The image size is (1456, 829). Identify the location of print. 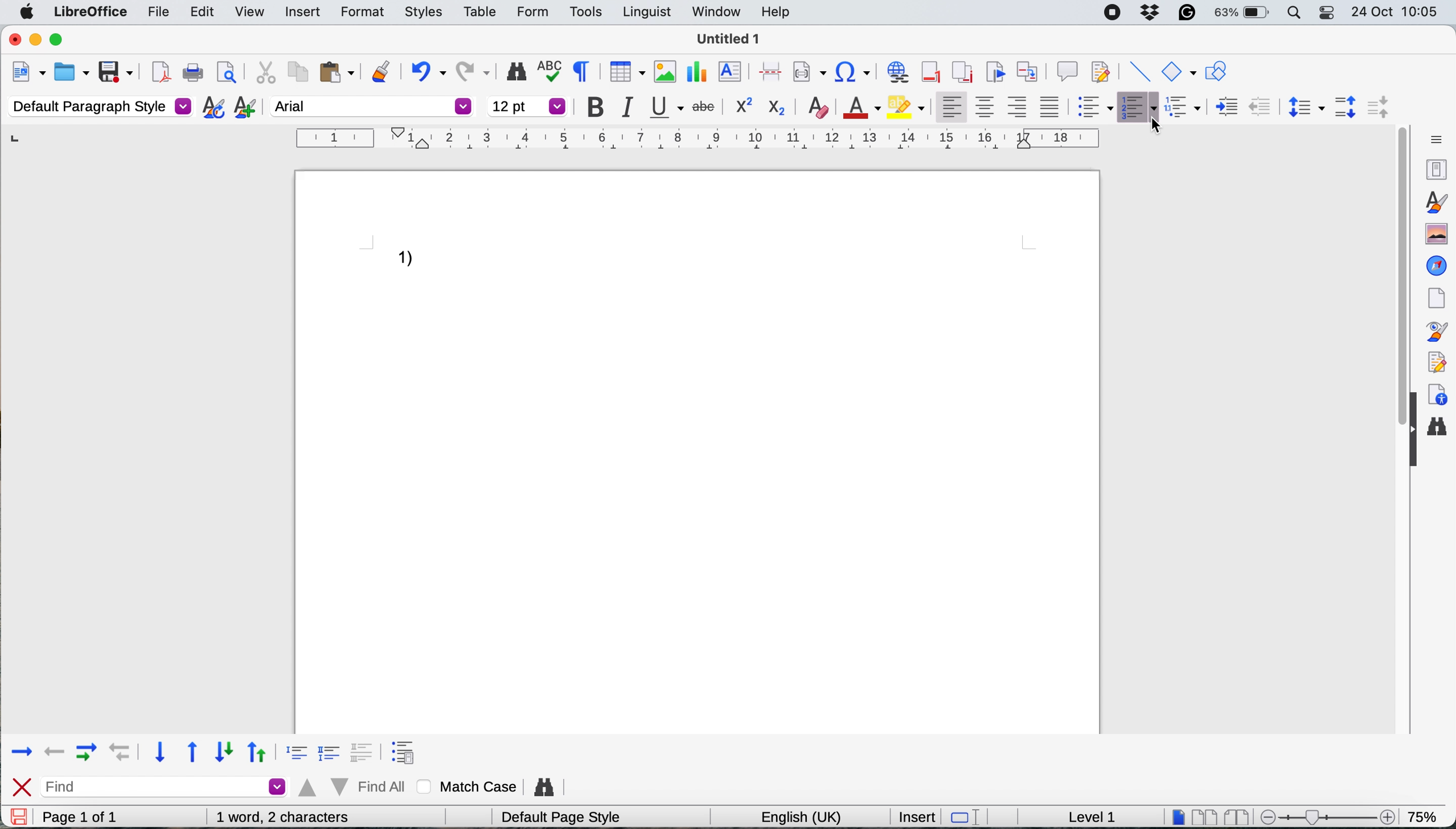
(194, 73).